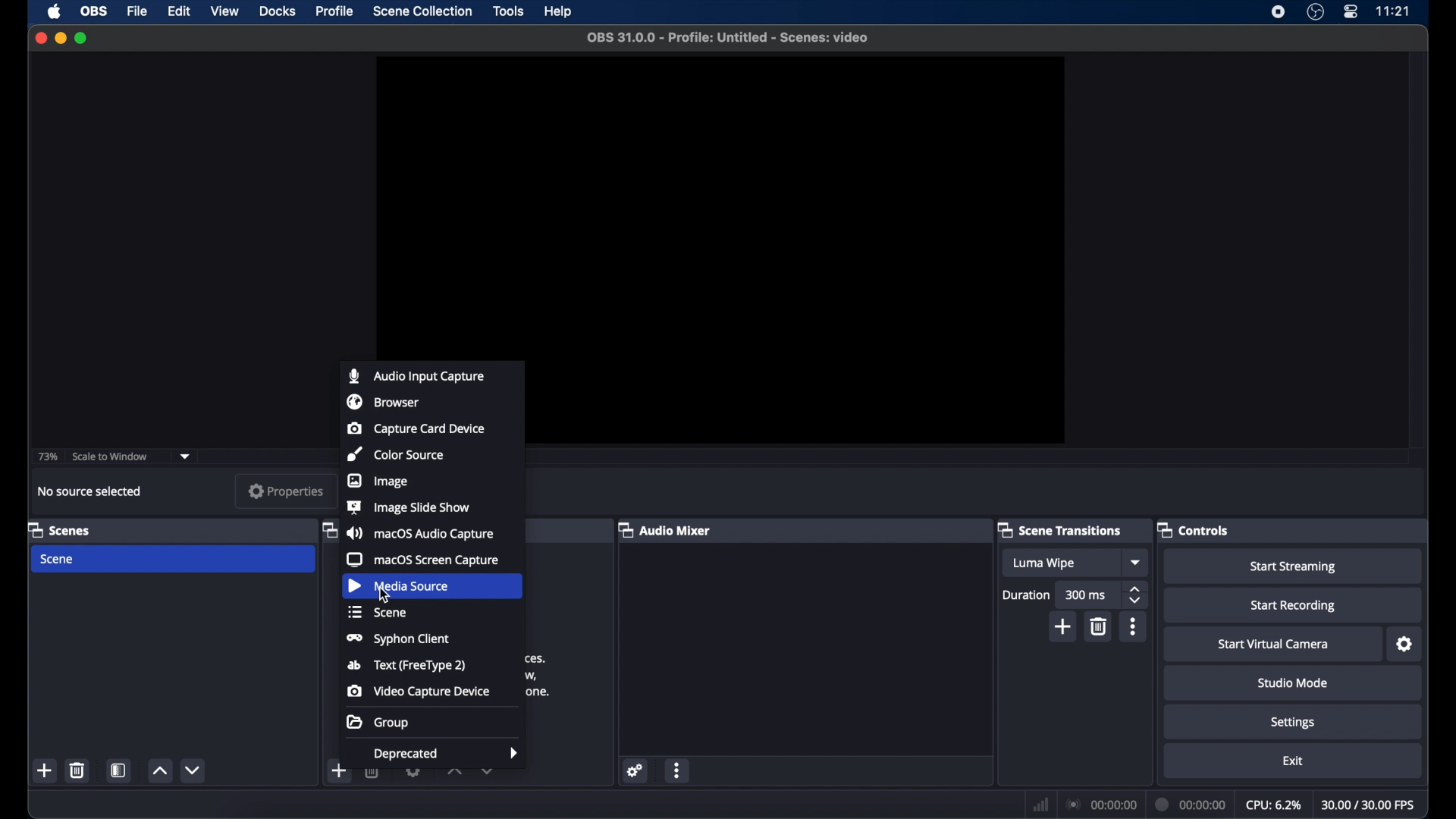 This screenshot has height=819, width=1456. Describe the element at coordinates (401, 585) in the screenshot. I see `media source` at that location.